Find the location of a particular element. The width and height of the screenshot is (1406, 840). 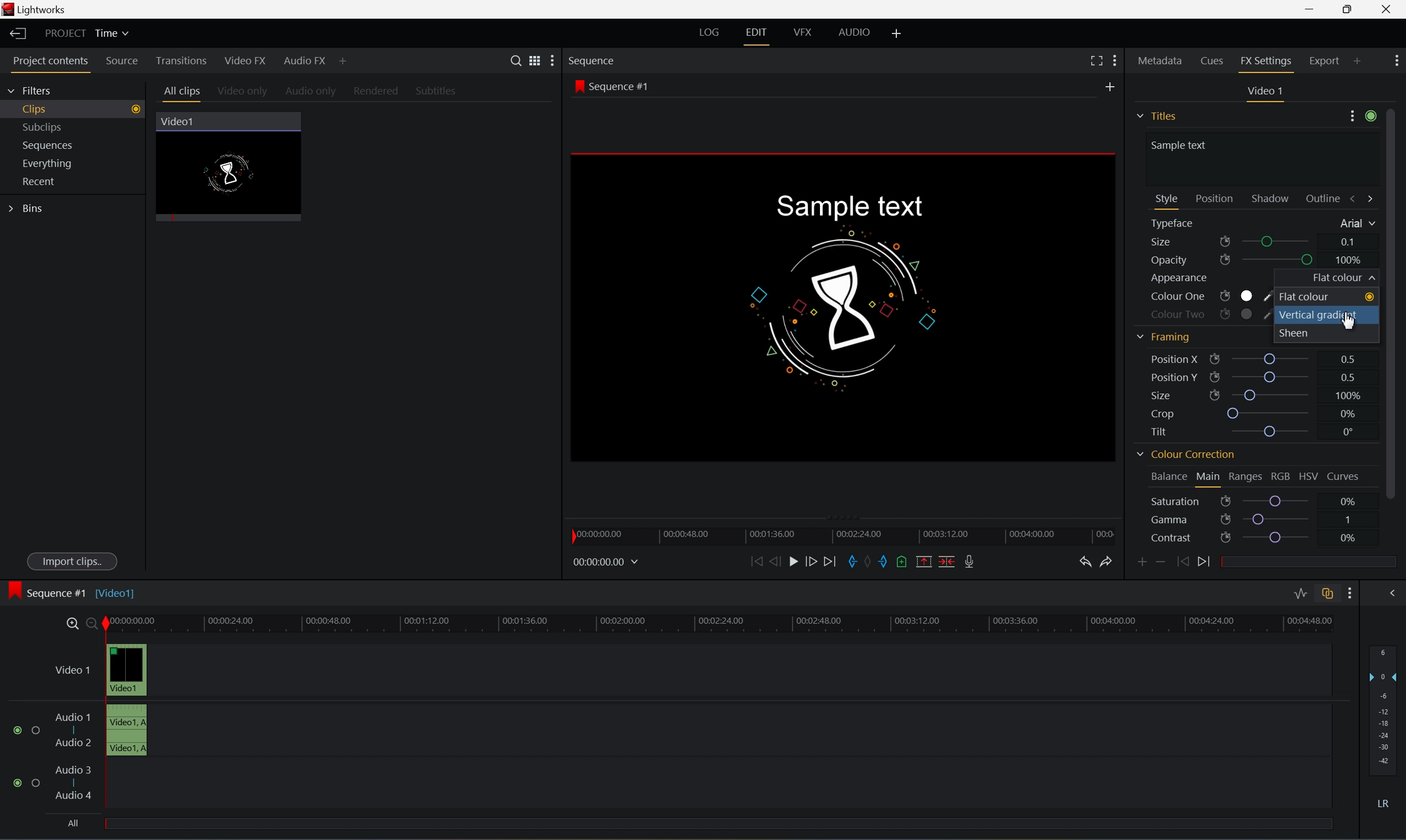

more is located at coordinates (1362, 118).